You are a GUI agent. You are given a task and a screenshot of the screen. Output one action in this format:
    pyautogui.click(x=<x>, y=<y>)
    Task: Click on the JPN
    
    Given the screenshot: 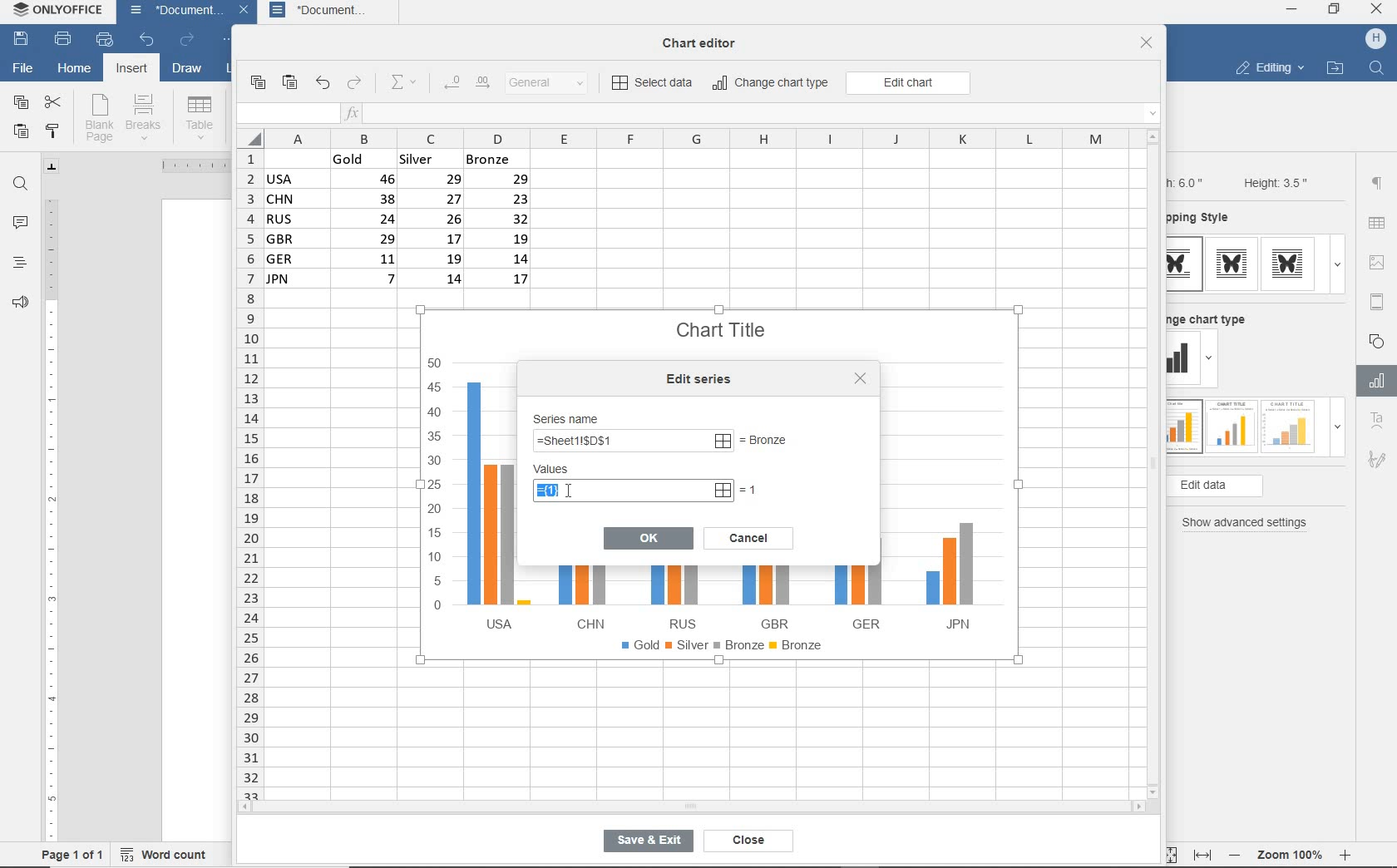 What is the action you would take?
    pyautogui.click(x=945, y=579)
    